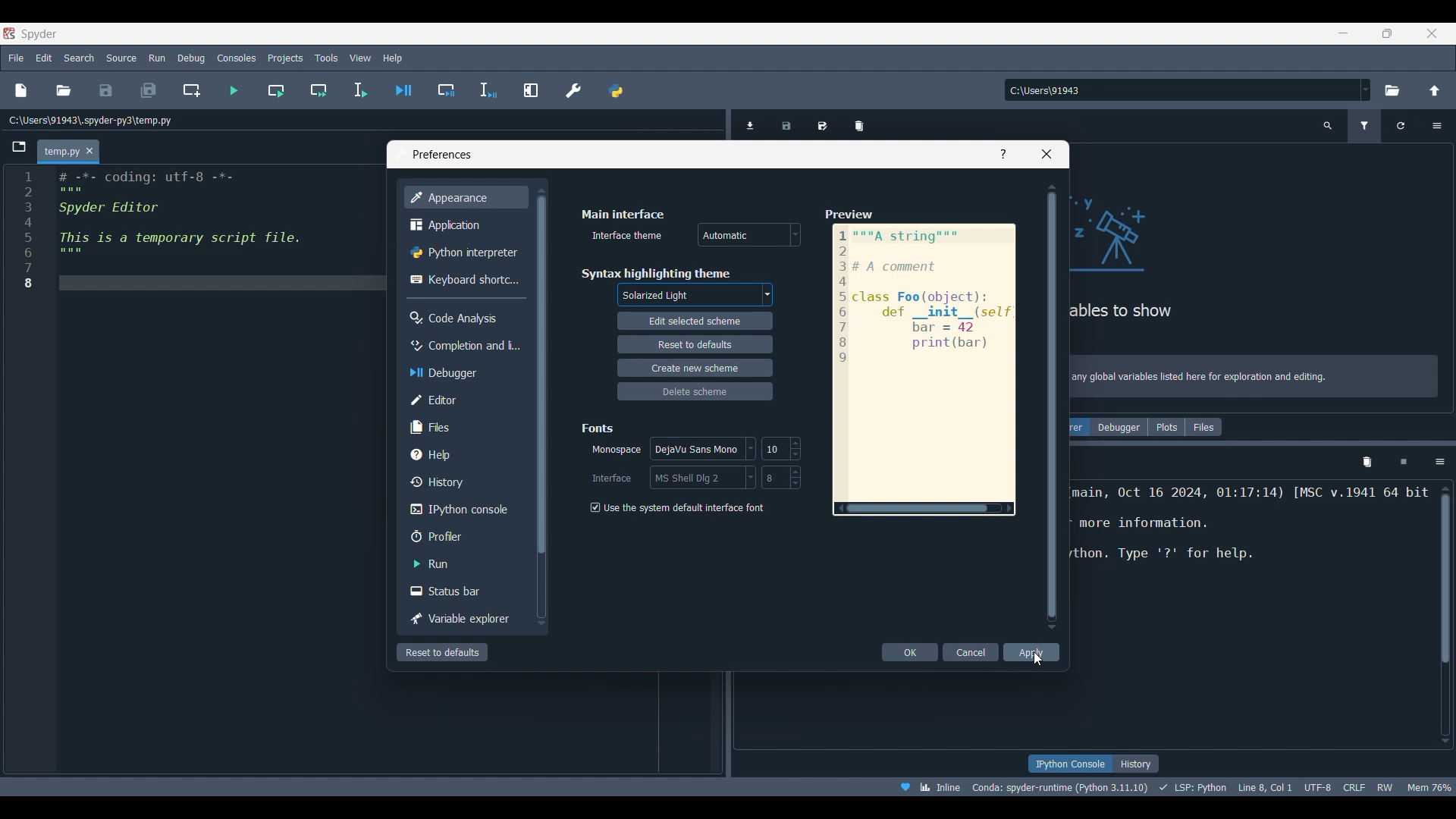  I want to click on Search variable names and types , so click(1328, 126).